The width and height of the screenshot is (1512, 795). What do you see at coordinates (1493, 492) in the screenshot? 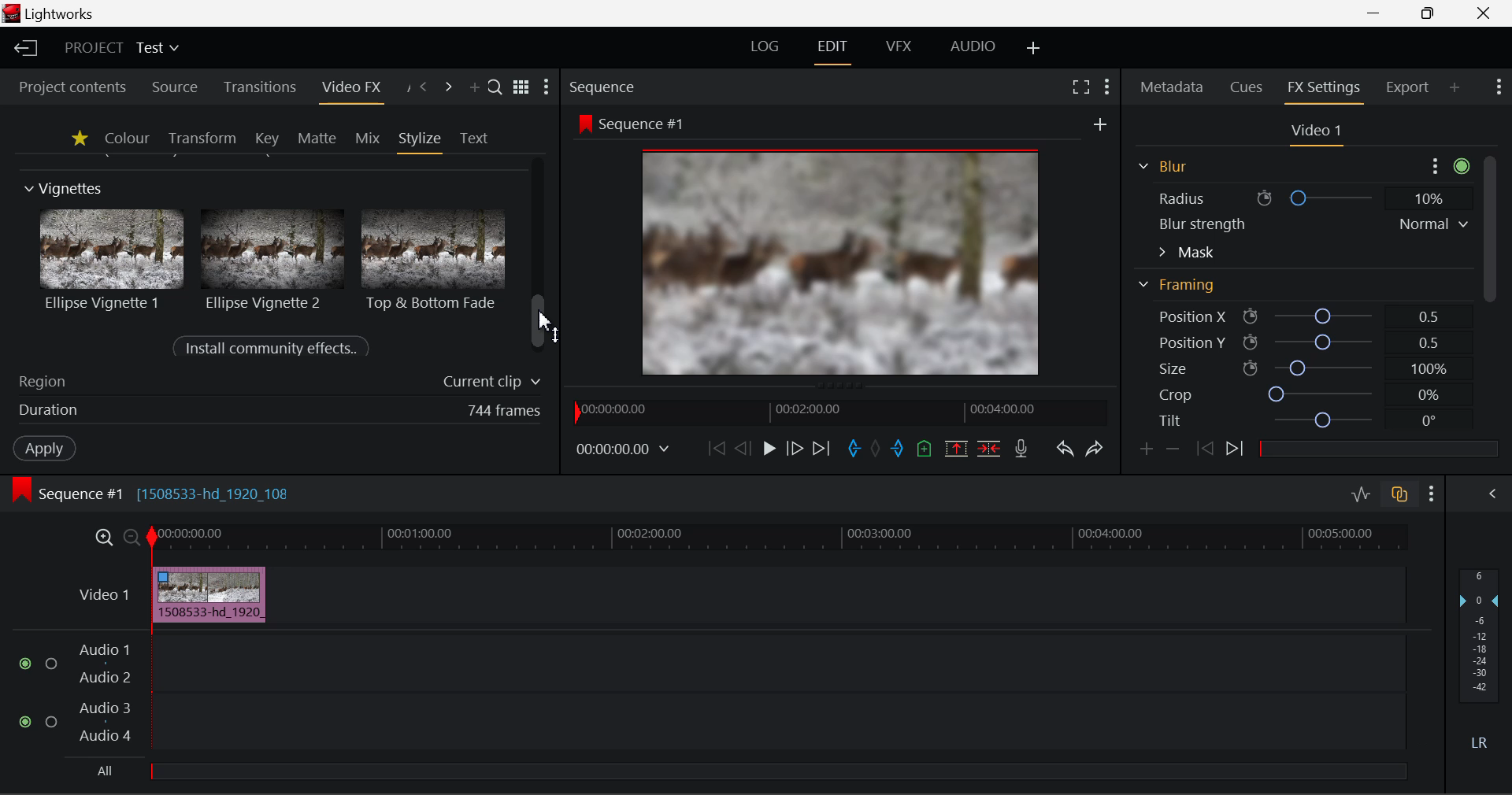
I see `View Audio Mix` at bounding box center [1493, 492].